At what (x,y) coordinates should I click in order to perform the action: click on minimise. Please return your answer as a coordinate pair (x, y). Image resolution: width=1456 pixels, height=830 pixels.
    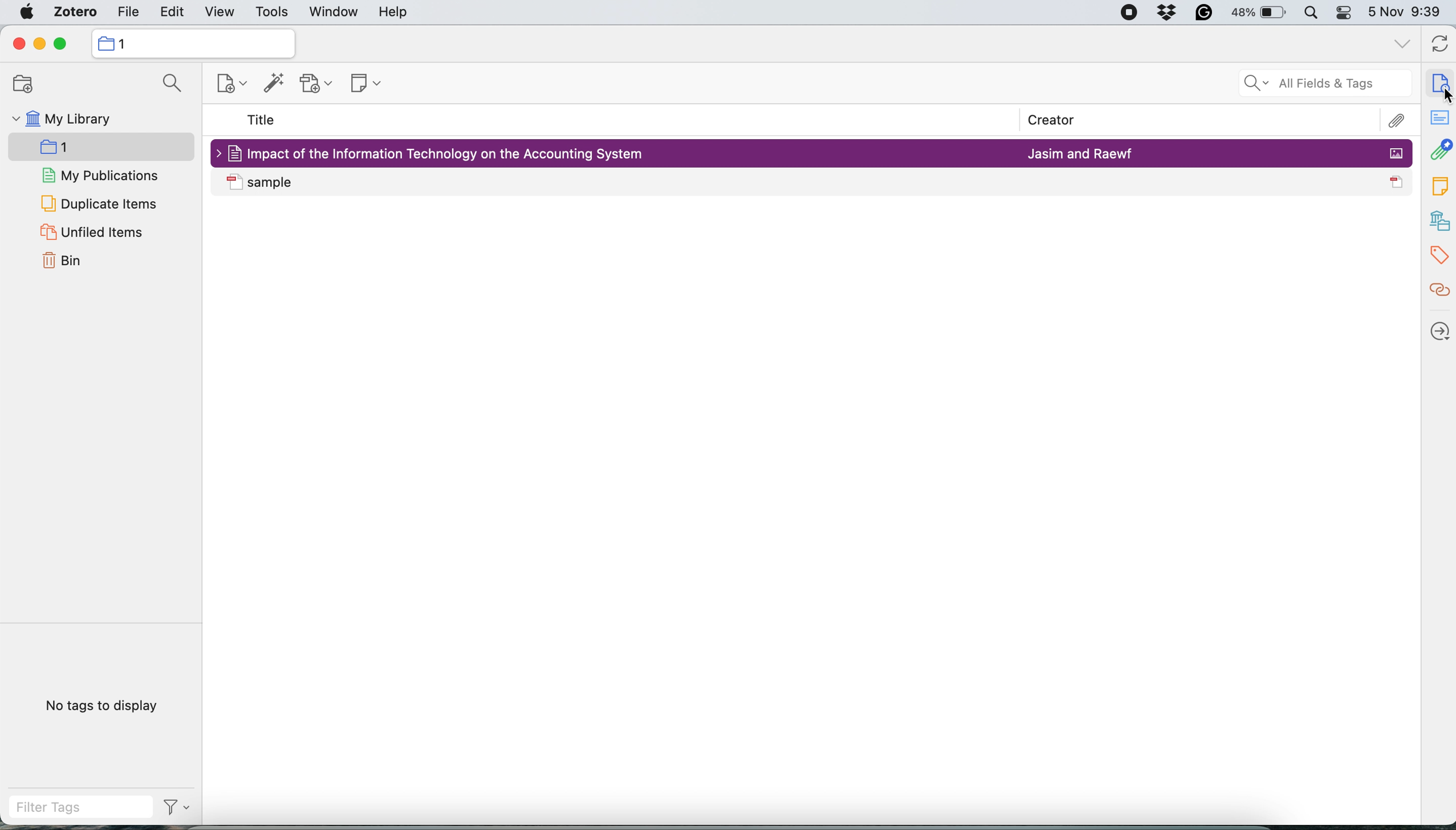
    Looking at the image, I should click on (38, 44).